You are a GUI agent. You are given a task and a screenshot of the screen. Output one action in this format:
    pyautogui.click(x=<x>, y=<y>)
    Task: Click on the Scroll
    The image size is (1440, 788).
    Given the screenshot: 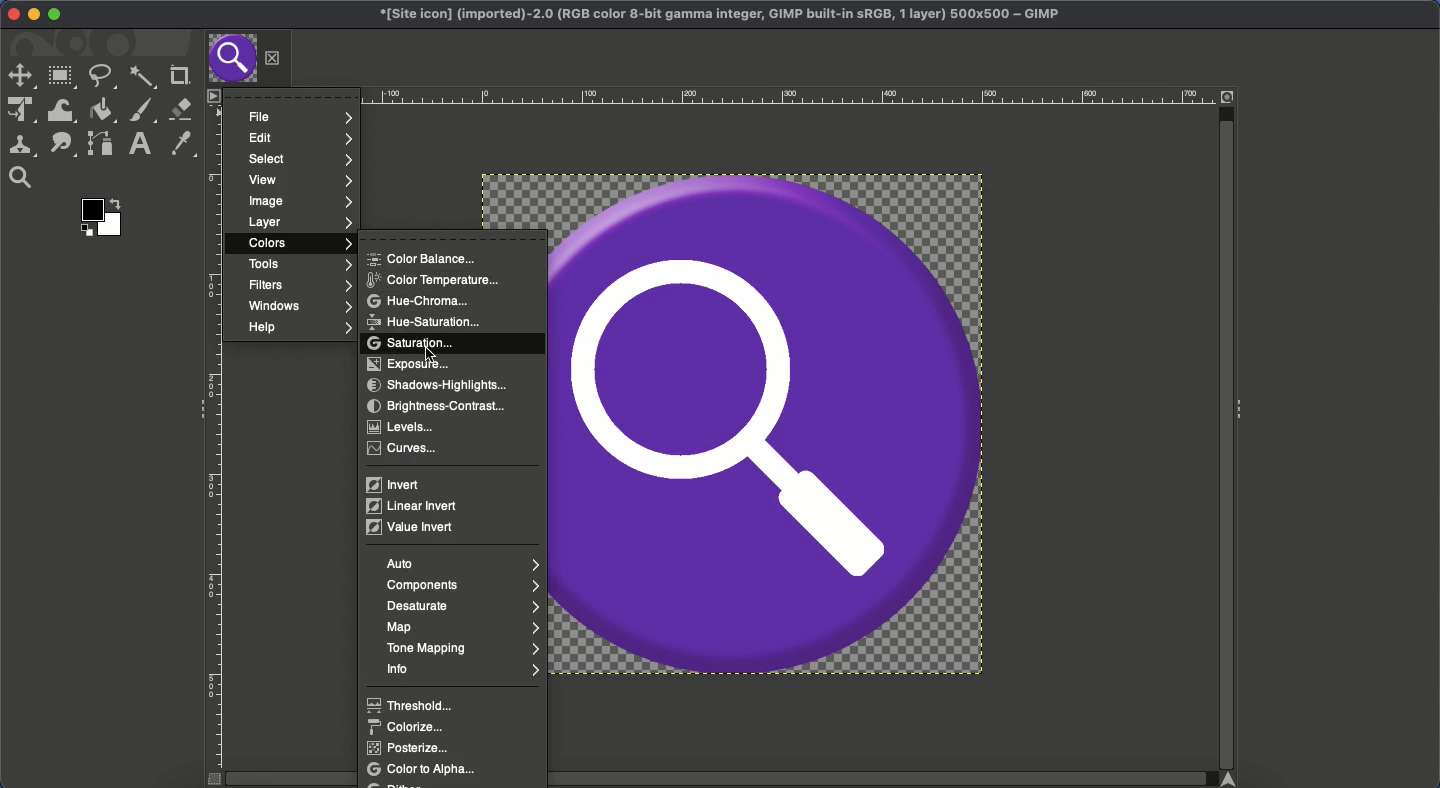 What is the action you would take?
    pyautogui.click(x=724, y=782)
    